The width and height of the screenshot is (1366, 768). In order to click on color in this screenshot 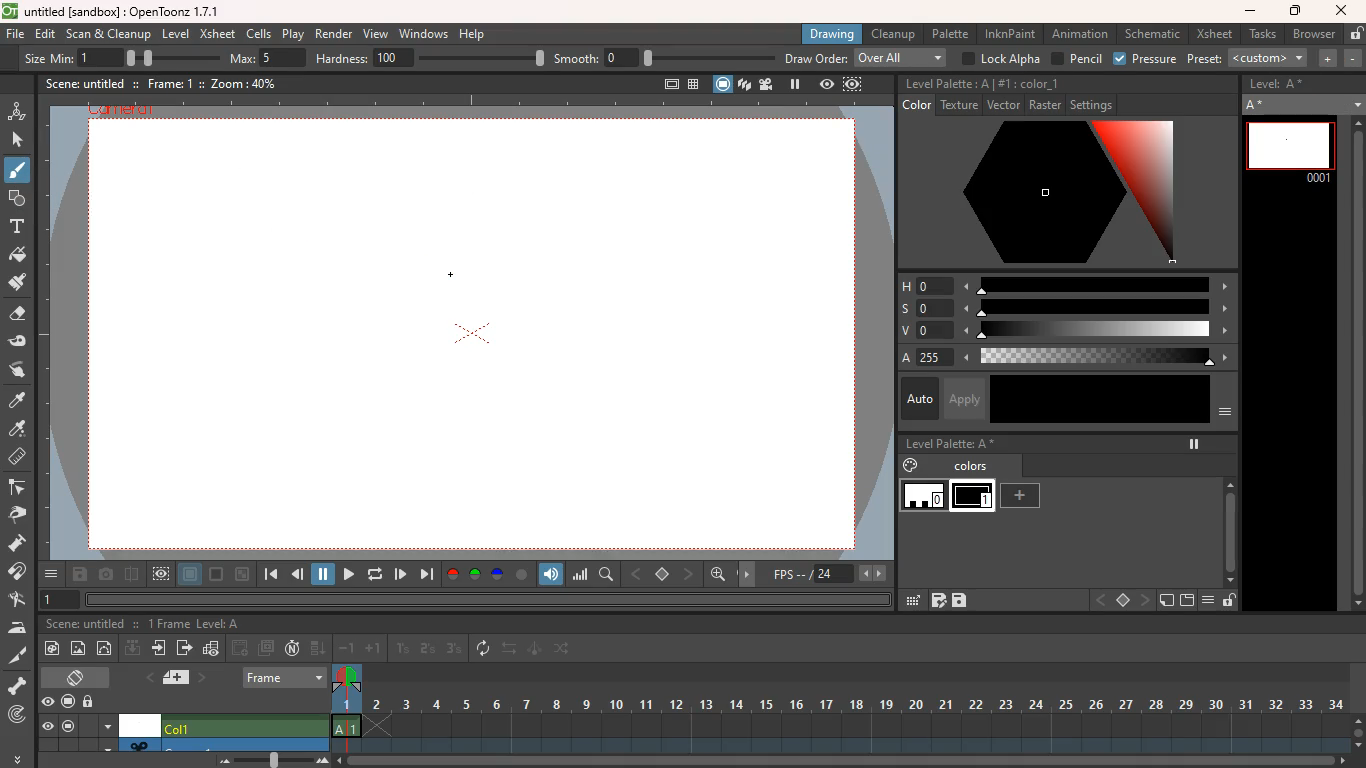, I will do `click(914, 106)`.